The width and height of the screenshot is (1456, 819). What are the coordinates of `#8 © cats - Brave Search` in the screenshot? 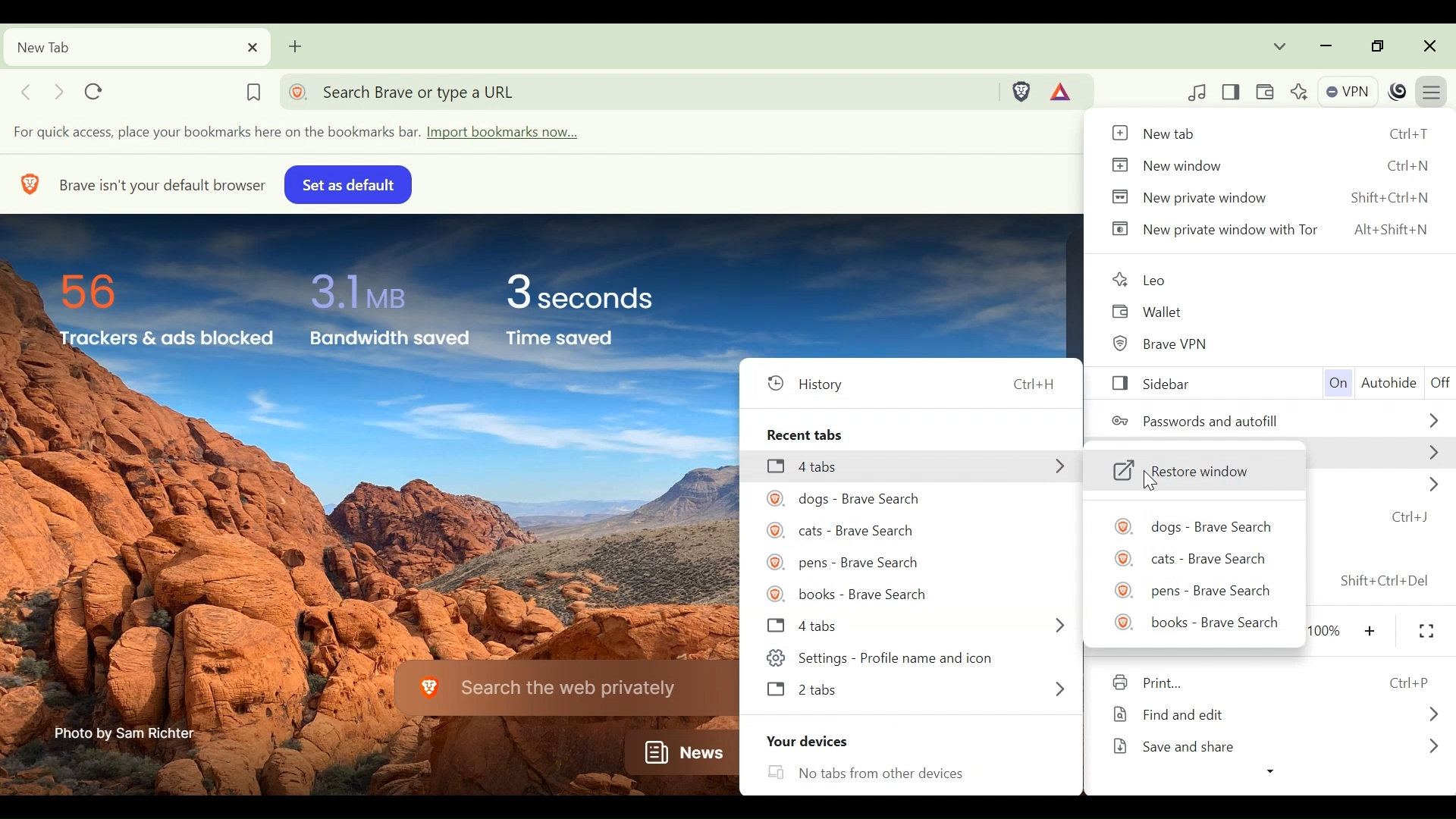 It's located at (846, 530).